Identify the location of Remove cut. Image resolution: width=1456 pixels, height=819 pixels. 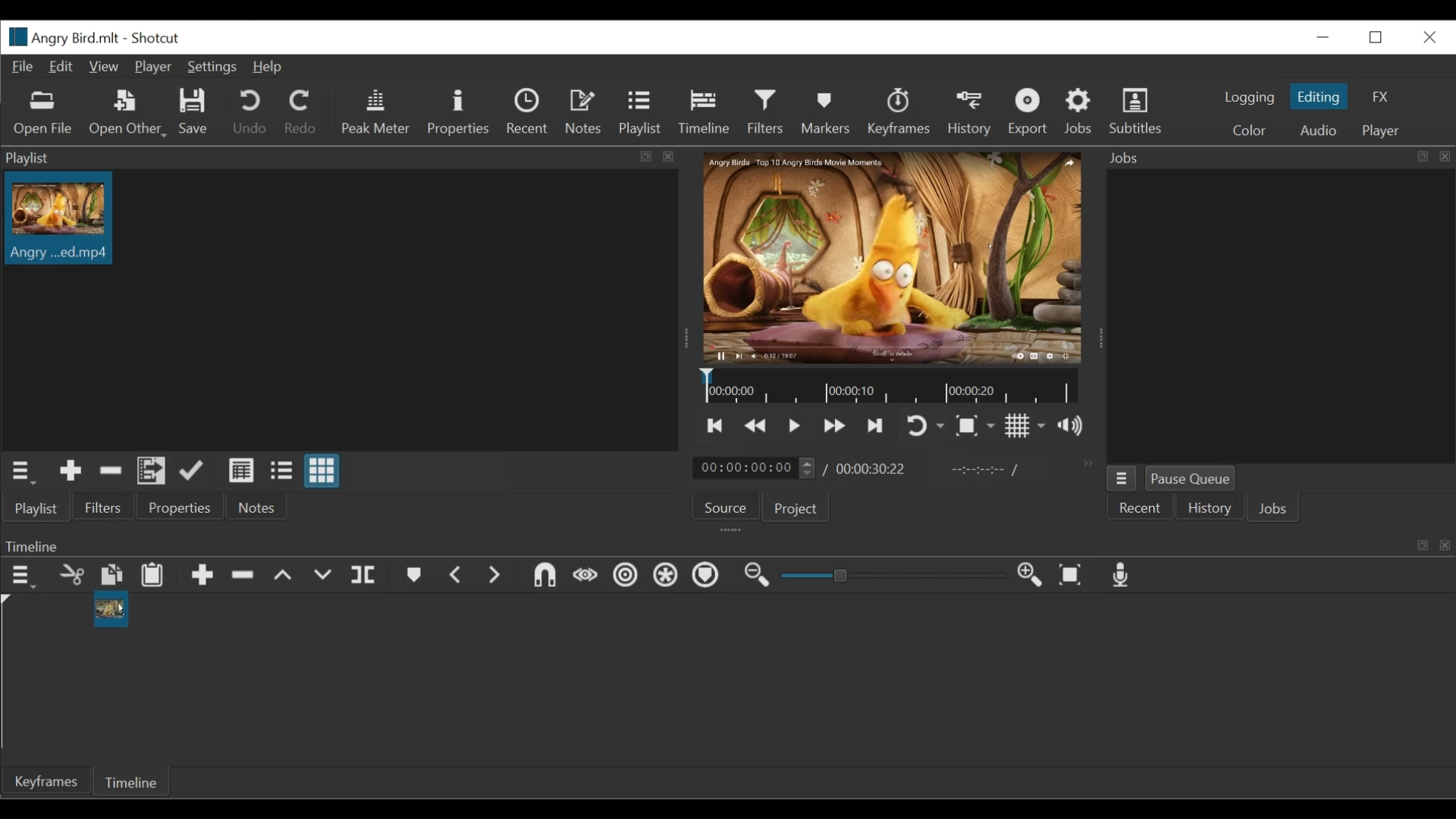
(72, 577).